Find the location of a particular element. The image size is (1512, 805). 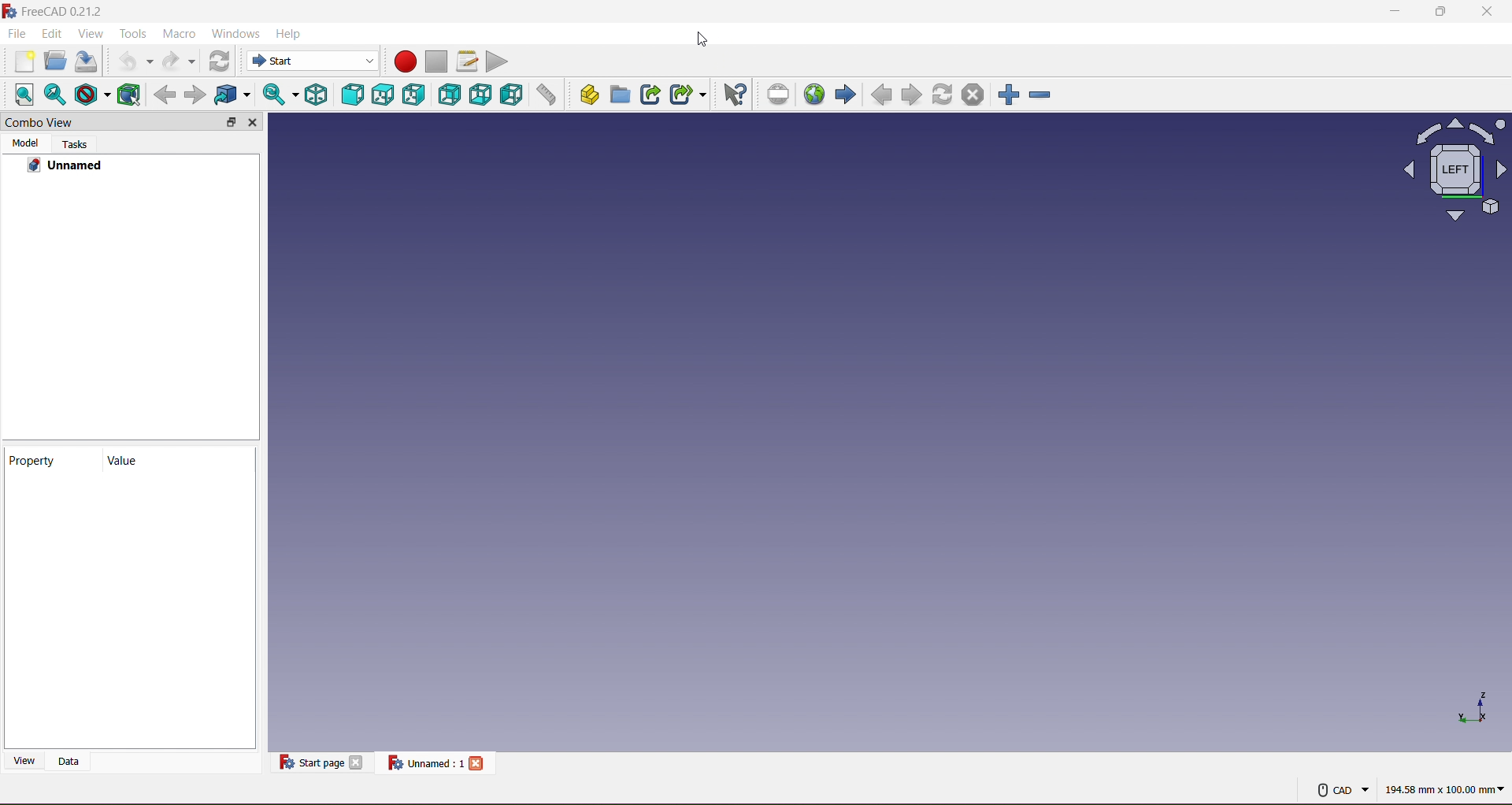

Go forward is located at coordinates (196, 96).